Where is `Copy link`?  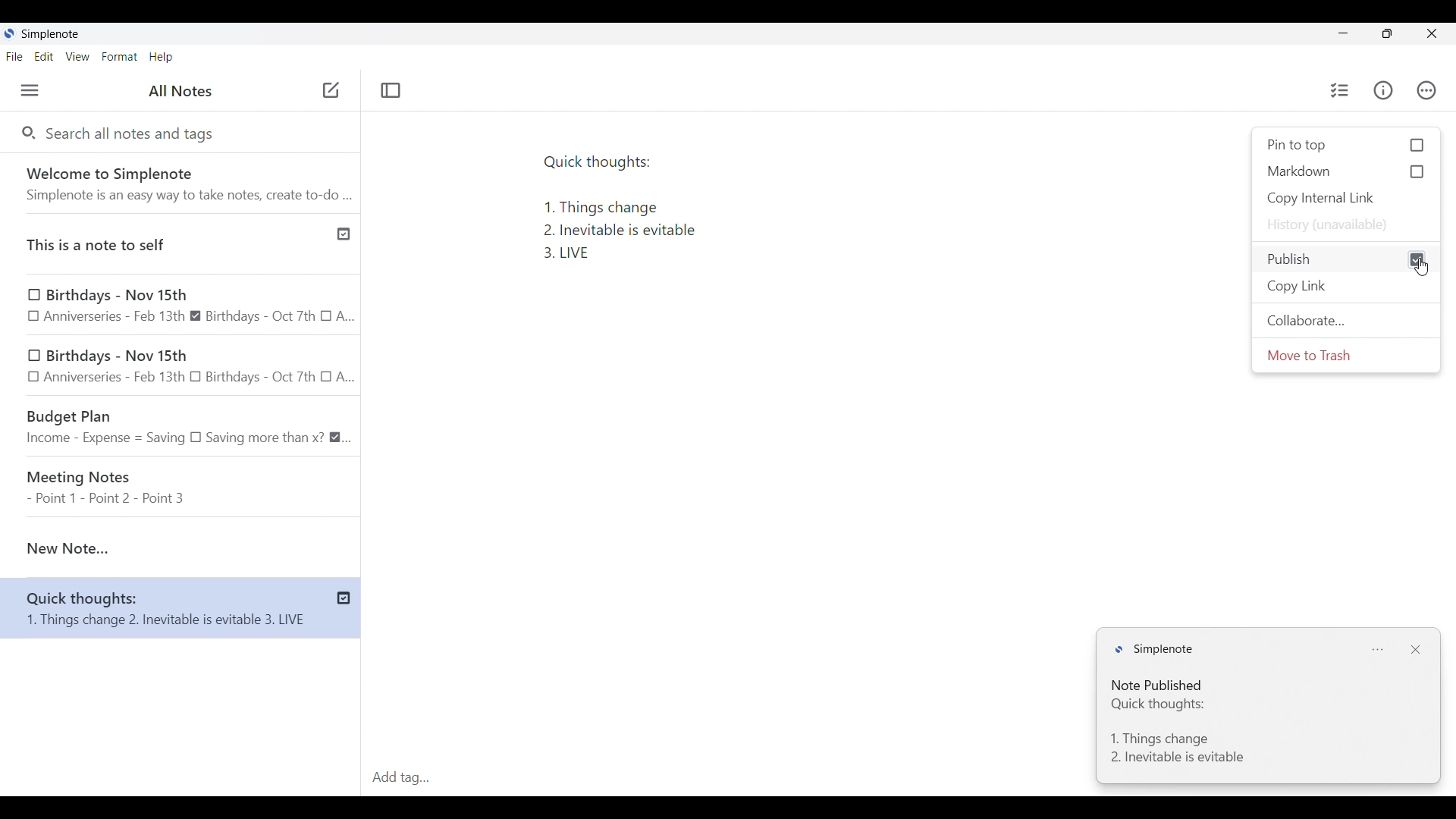
Copy link is located at coordinates (1346, 287).